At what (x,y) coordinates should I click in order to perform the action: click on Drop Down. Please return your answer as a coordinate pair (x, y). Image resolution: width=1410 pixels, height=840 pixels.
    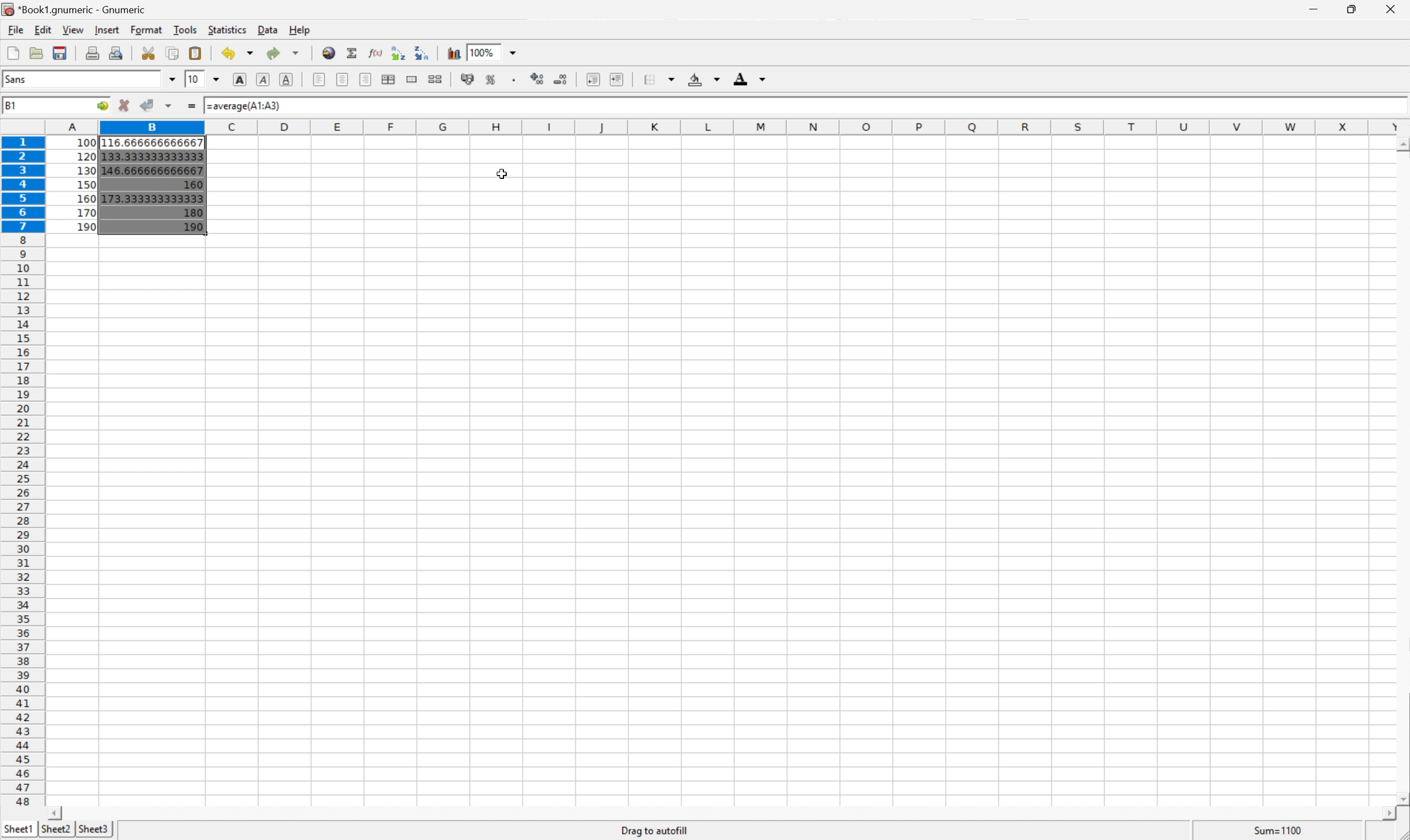
    Looking at the image, I should click on (218, 79).